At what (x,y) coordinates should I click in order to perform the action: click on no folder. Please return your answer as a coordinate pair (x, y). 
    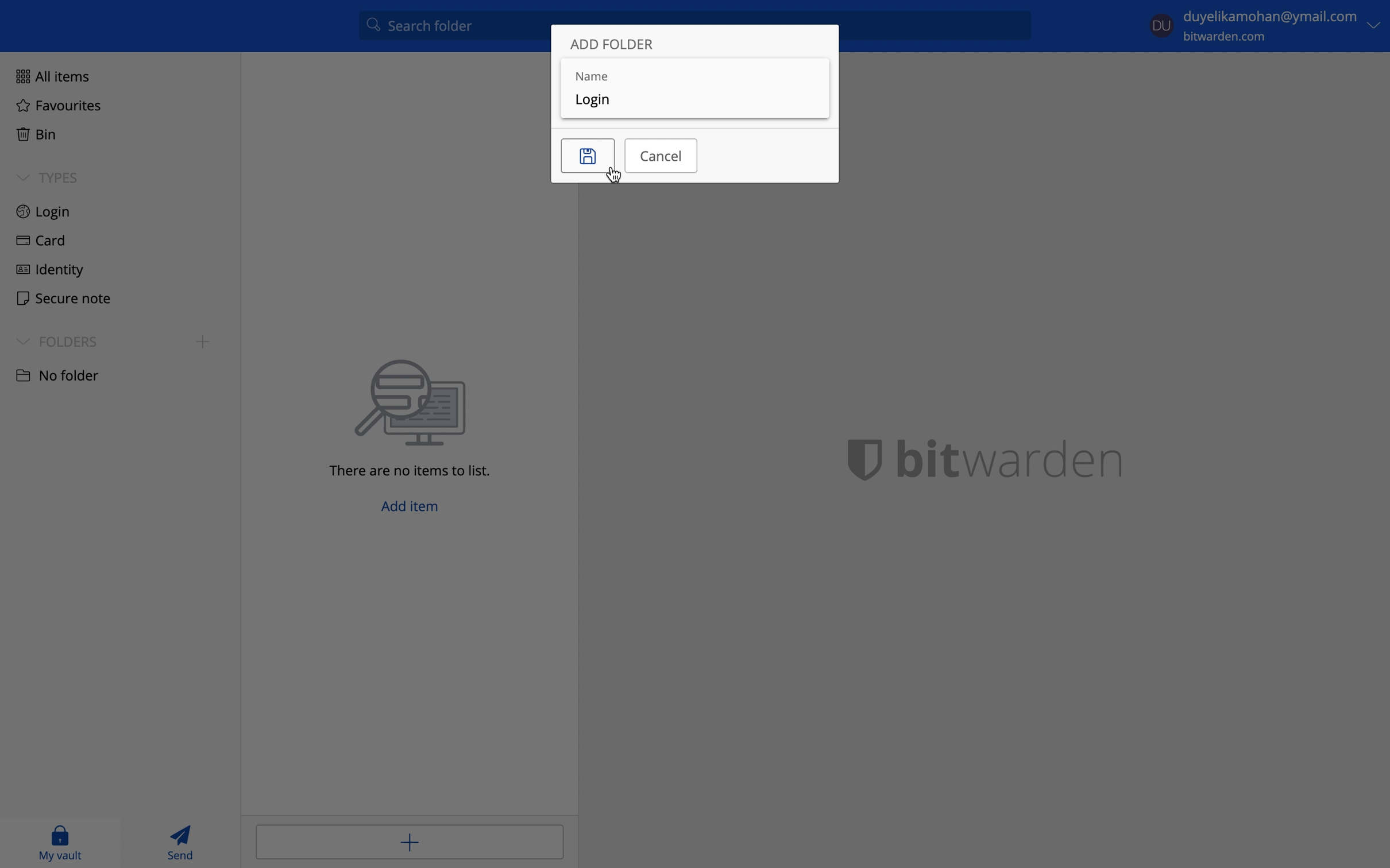
    Looking at the image, I should click on (56, 374).